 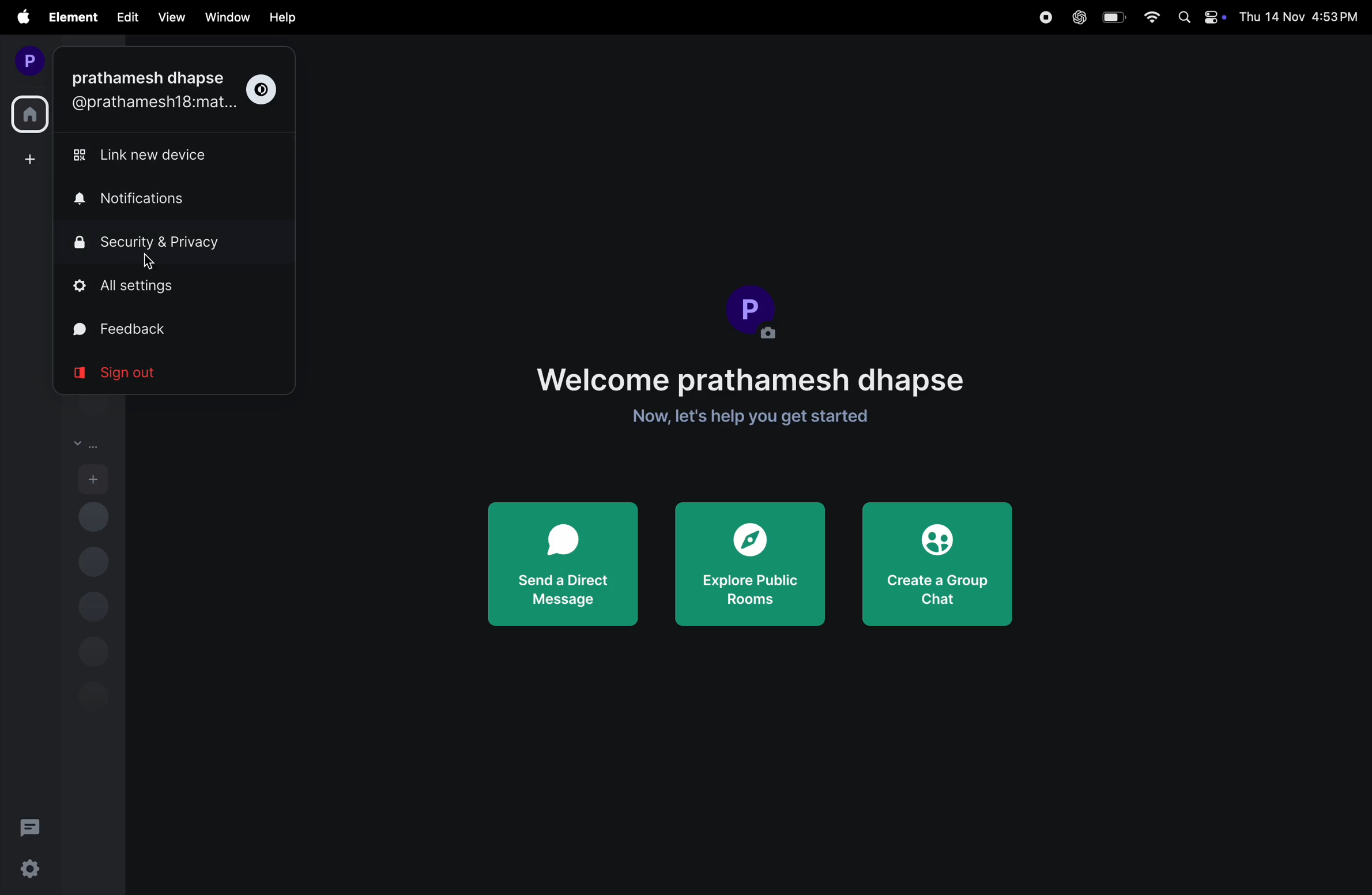 I want to click on apple menu, so click(x=20, y=17).